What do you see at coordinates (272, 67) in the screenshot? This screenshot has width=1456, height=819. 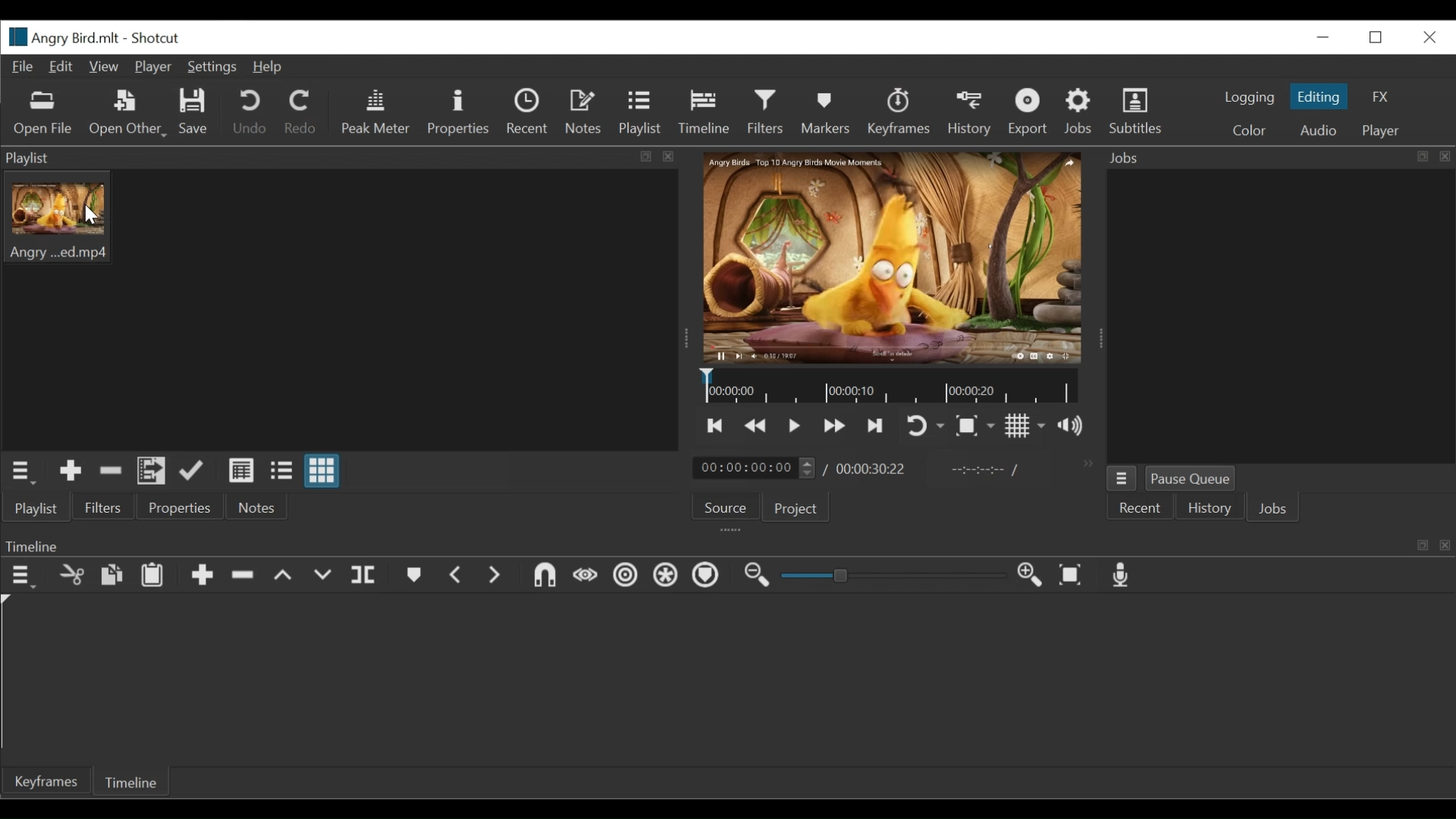 I see `Help` at bounding box center [272, 67].